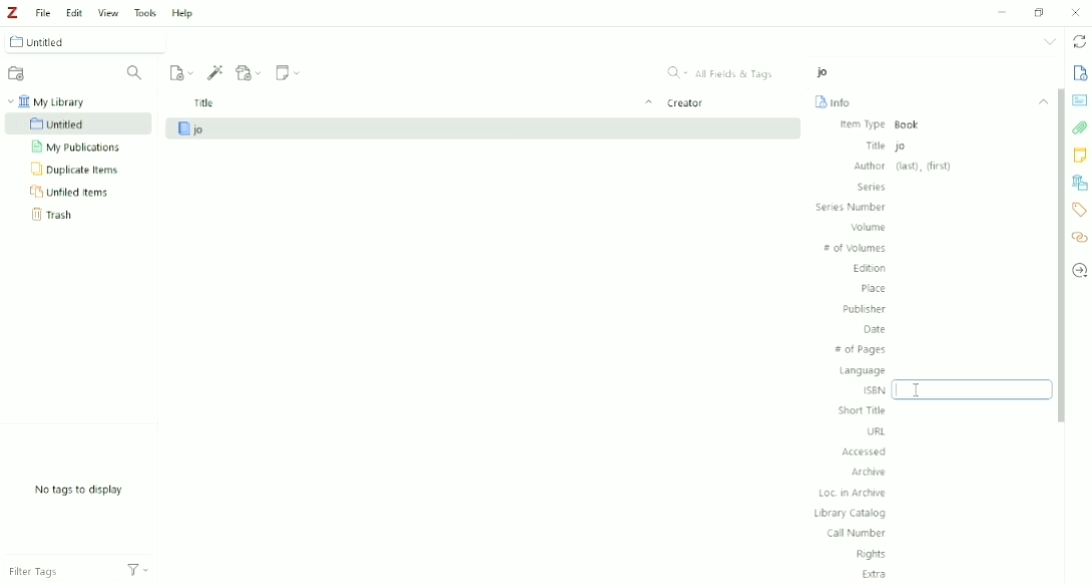 This screenshot has height=584, width=1092. What do you see at coordinates (18, 73) in the screenshot?
I see `New Collection` at bounding box center [18, 73].